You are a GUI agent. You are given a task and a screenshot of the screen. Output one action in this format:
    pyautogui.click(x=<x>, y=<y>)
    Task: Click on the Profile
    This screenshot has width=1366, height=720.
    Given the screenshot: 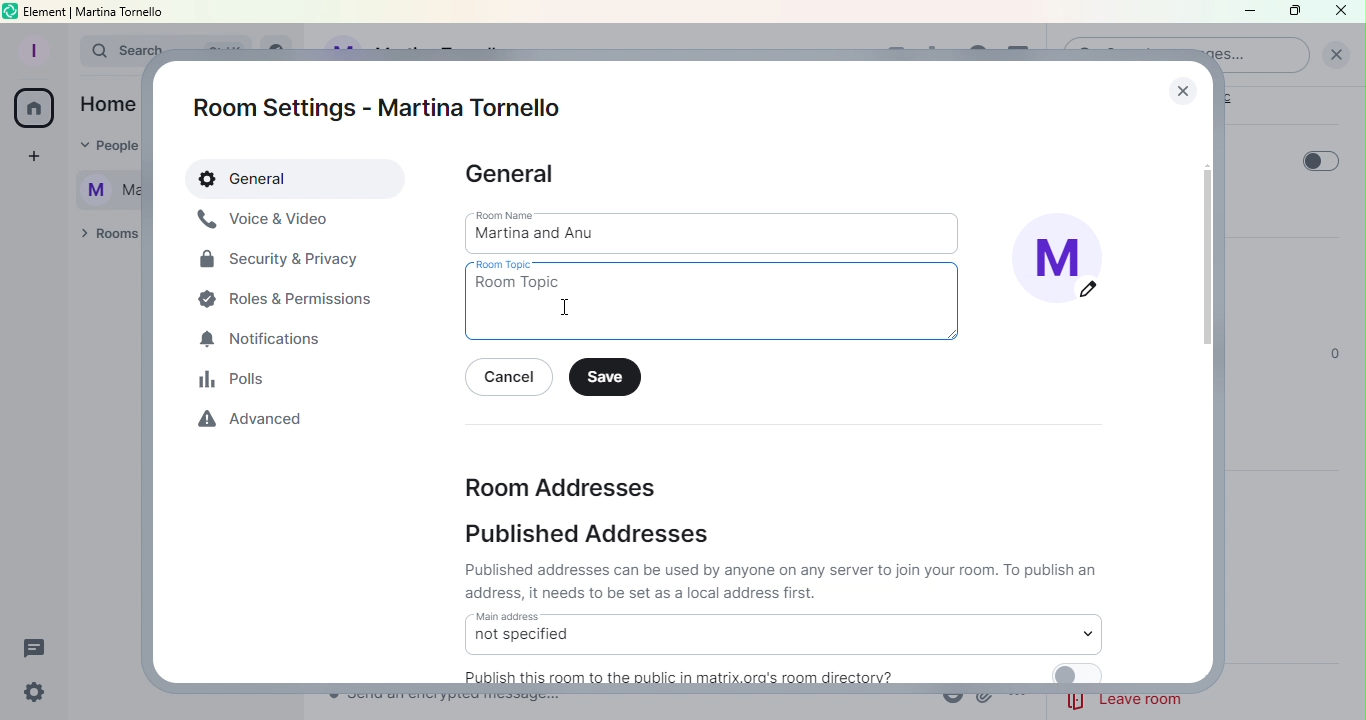 What is the action you would take?
    pyautogui.click(x=31, y=48)
    